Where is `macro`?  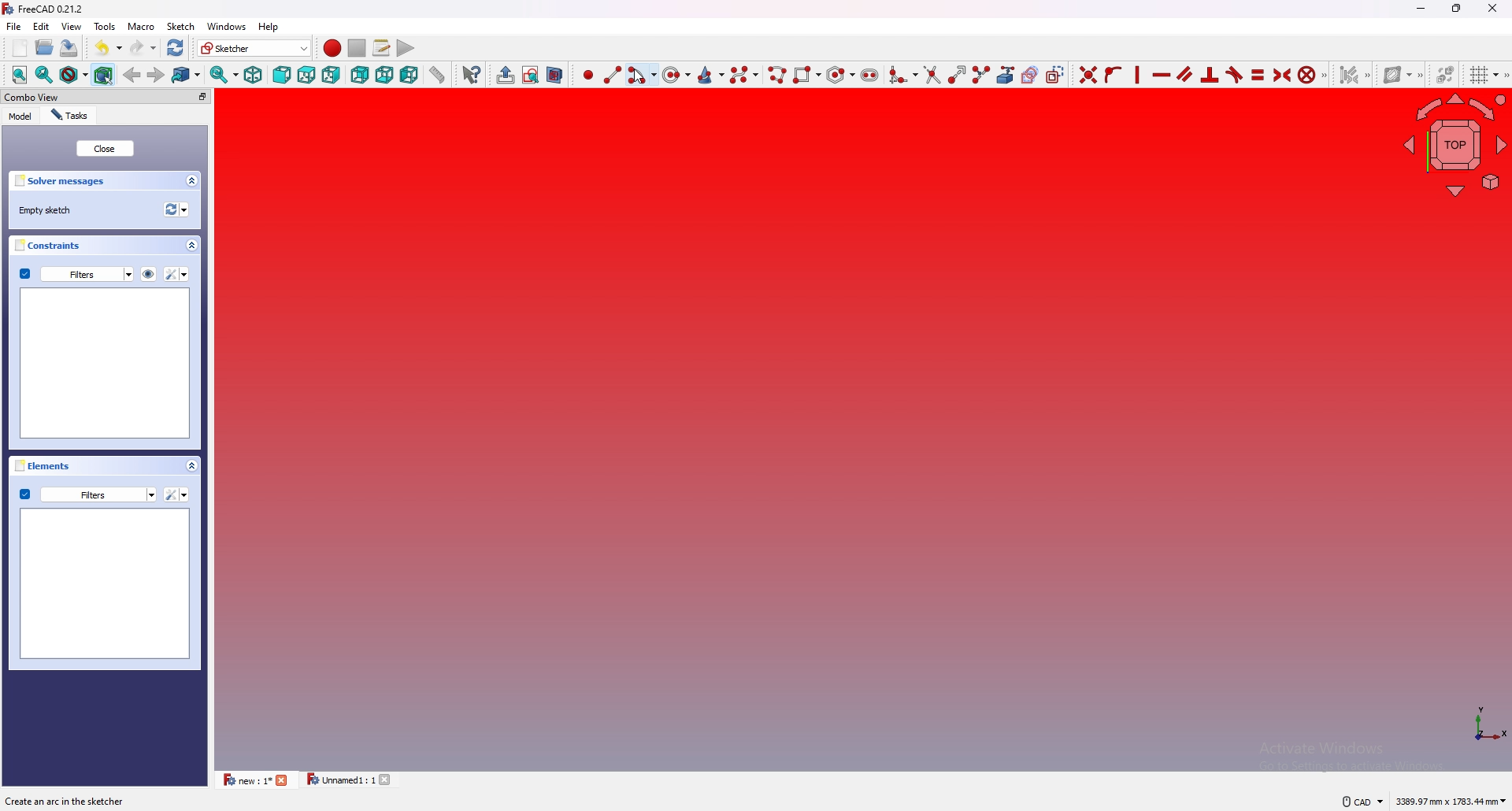
macro is located at coordinates (140, 25).